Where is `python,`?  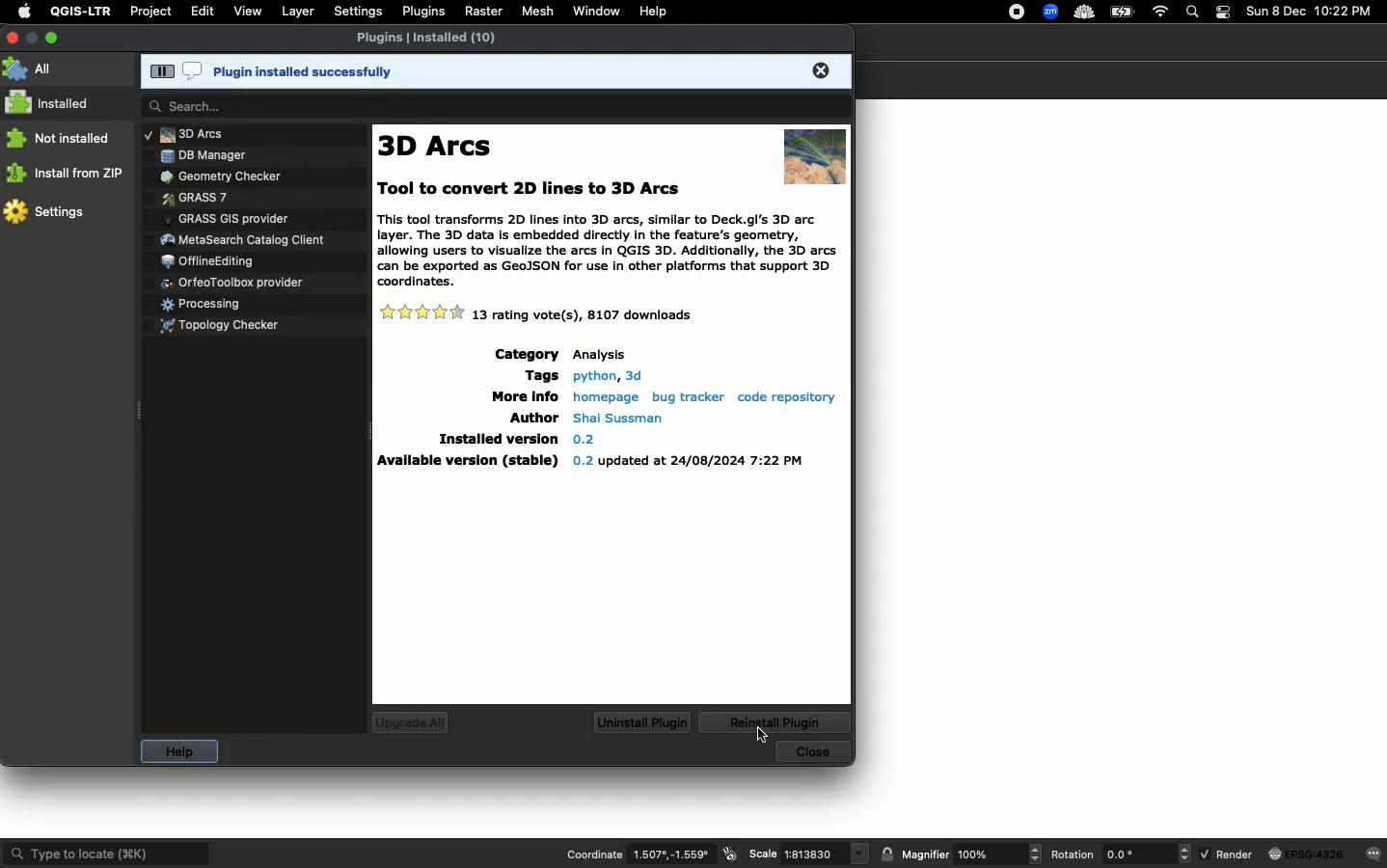
python, is located at coordinates (593, 374).